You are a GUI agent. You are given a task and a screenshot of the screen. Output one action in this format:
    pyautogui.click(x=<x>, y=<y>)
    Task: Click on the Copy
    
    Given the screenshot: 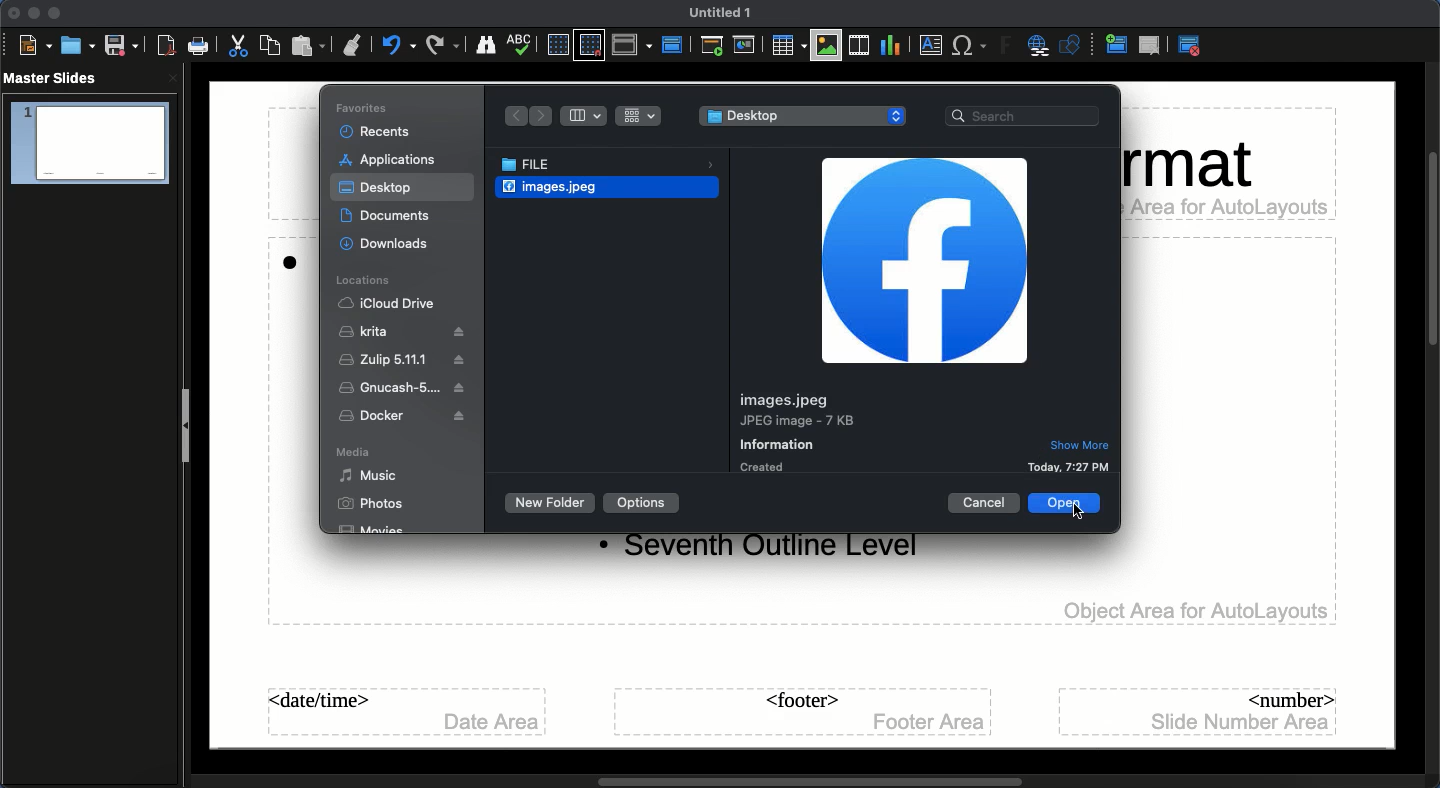 What is the action you would take?
    pyautogui.click(x=269, y=45)
    